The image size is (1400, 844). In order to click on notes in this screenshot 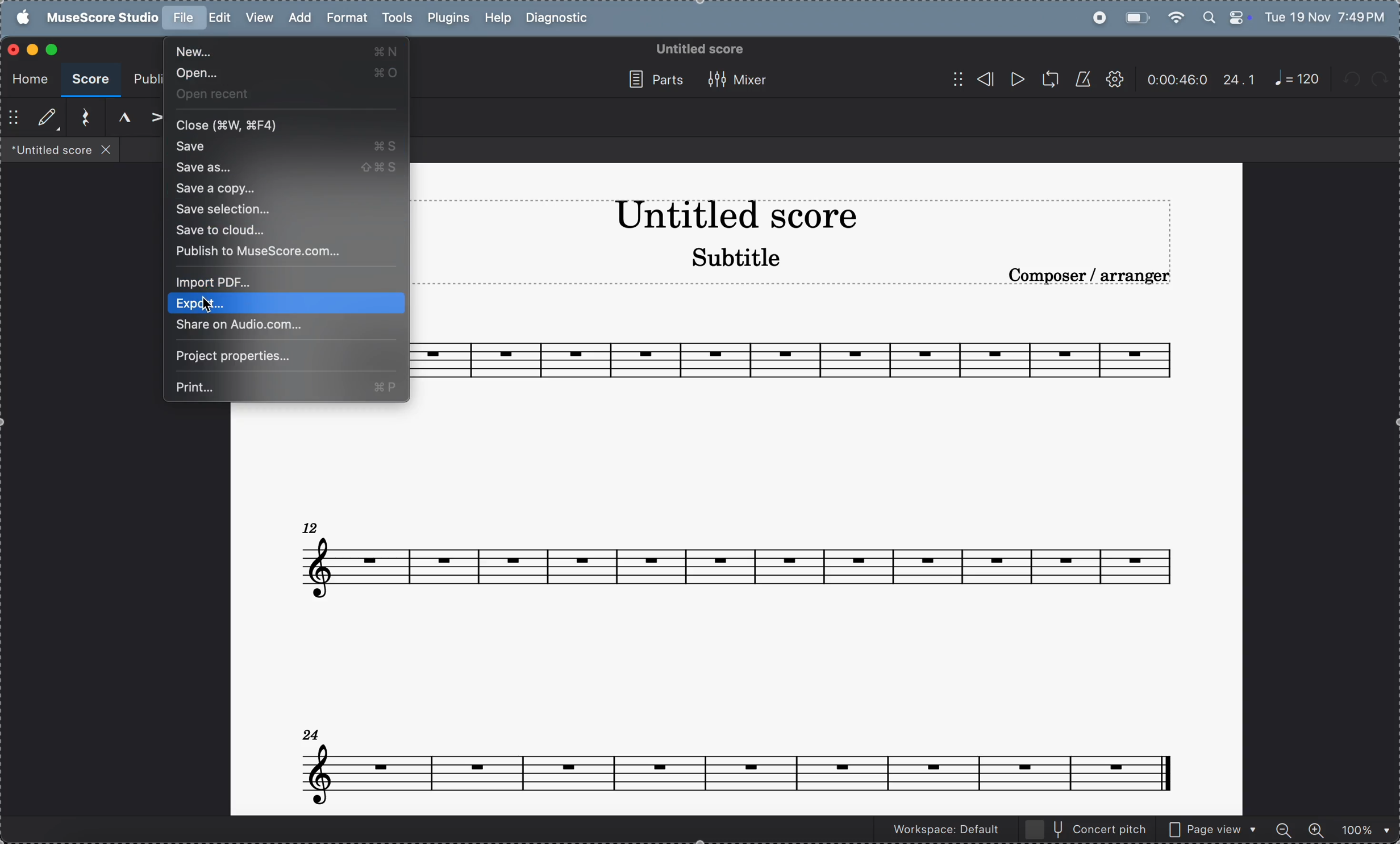, I will do `click(744, 558)`.